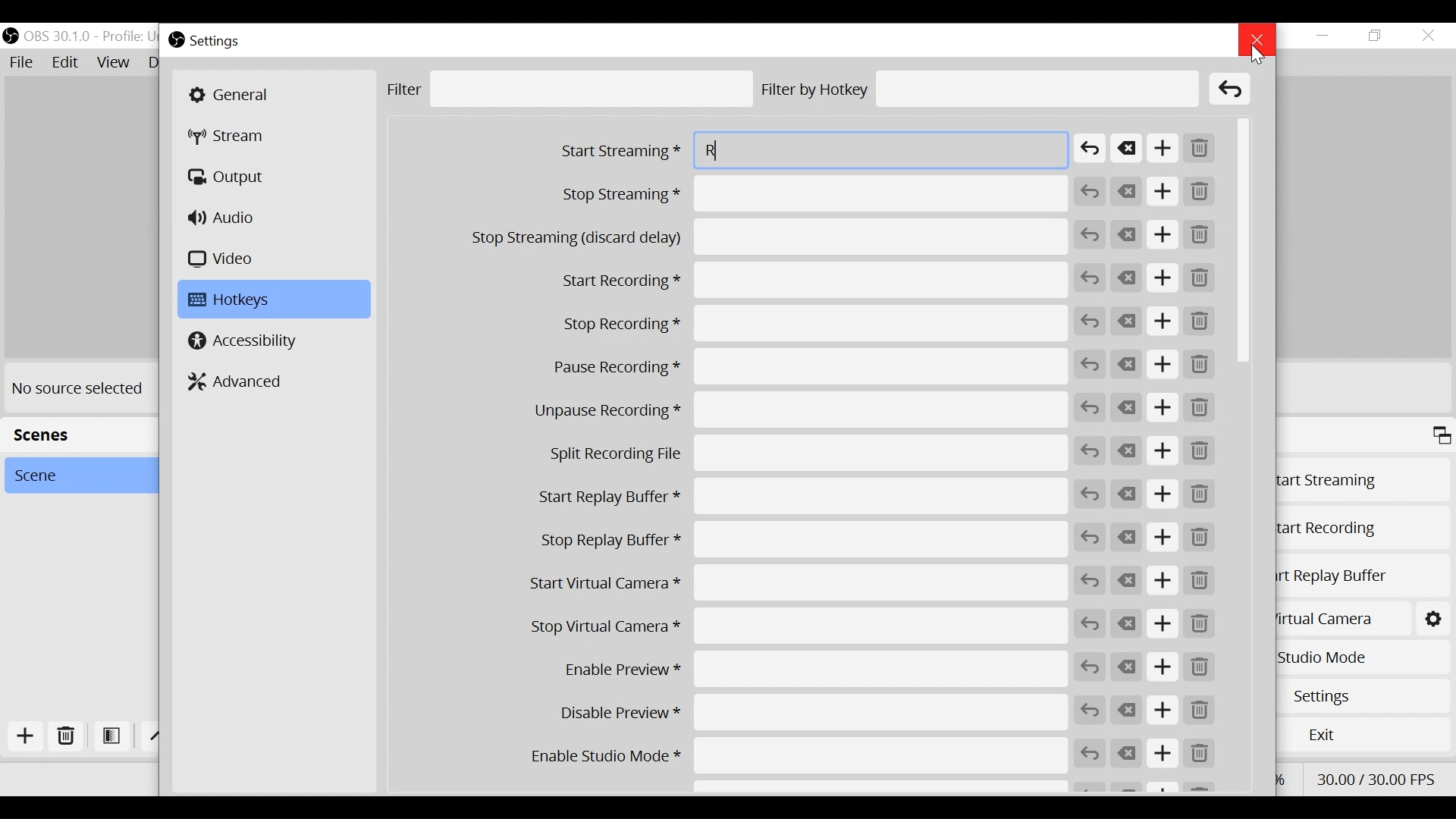 The image size is (1456, 819). What do you see at coordinates (770, 237) in the screenshot?
I see `Stop Streaming (discard delay)` at bounding box center [770, 237].